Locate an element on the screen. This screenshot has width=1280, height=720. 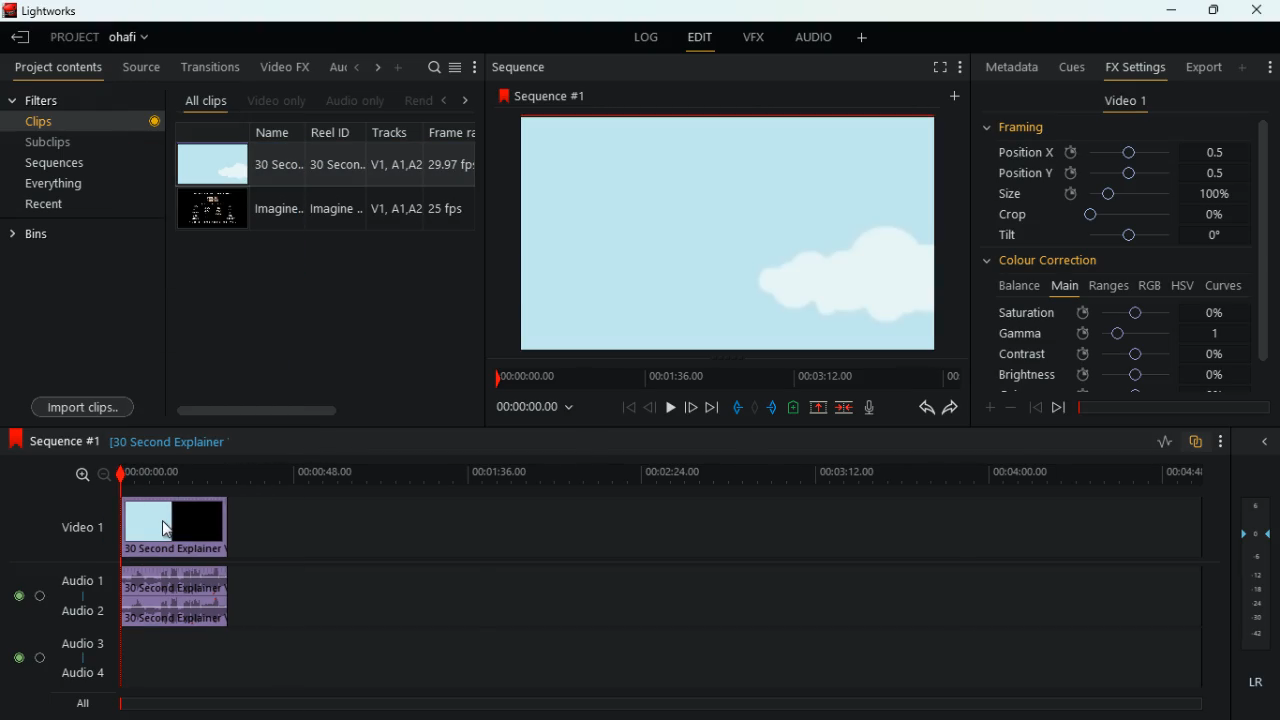
cues is located at coordinates (1067, 66).